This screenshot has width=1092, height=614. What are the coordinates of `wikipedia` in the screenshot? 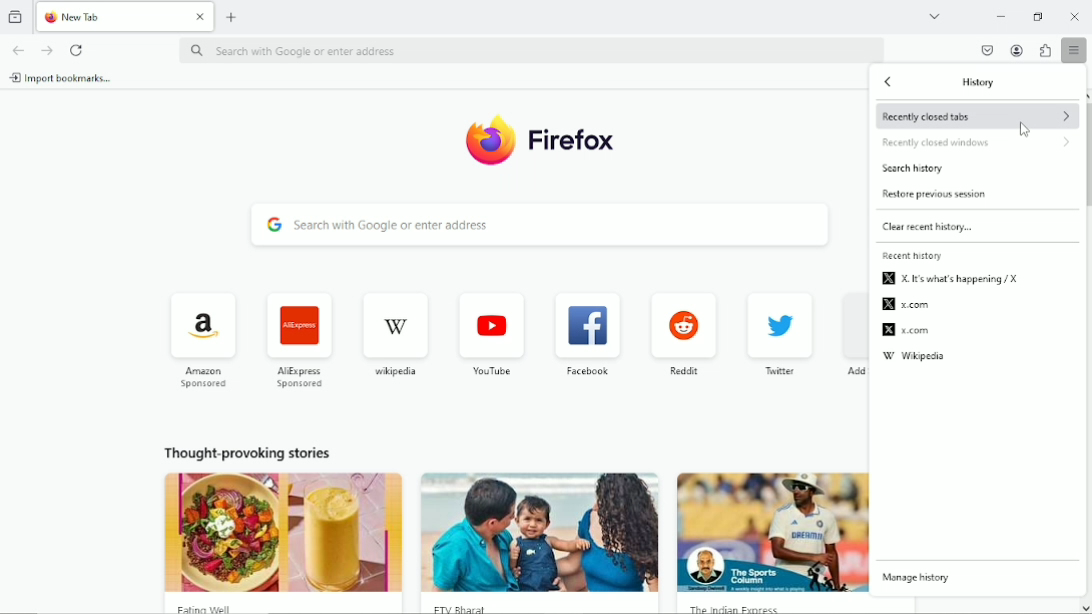 It's located at (915, 358).